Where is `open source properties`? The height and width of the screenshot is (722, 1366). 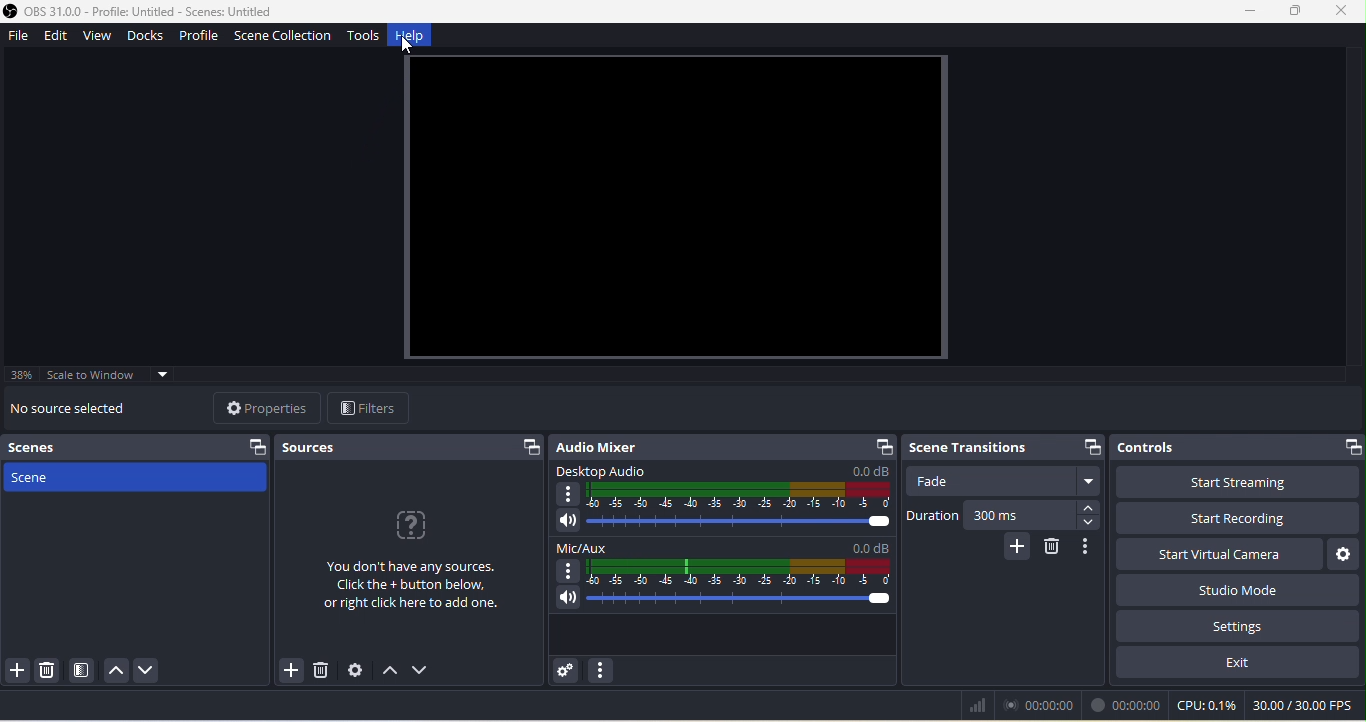 open source properties is located at coordinates (354, 671).